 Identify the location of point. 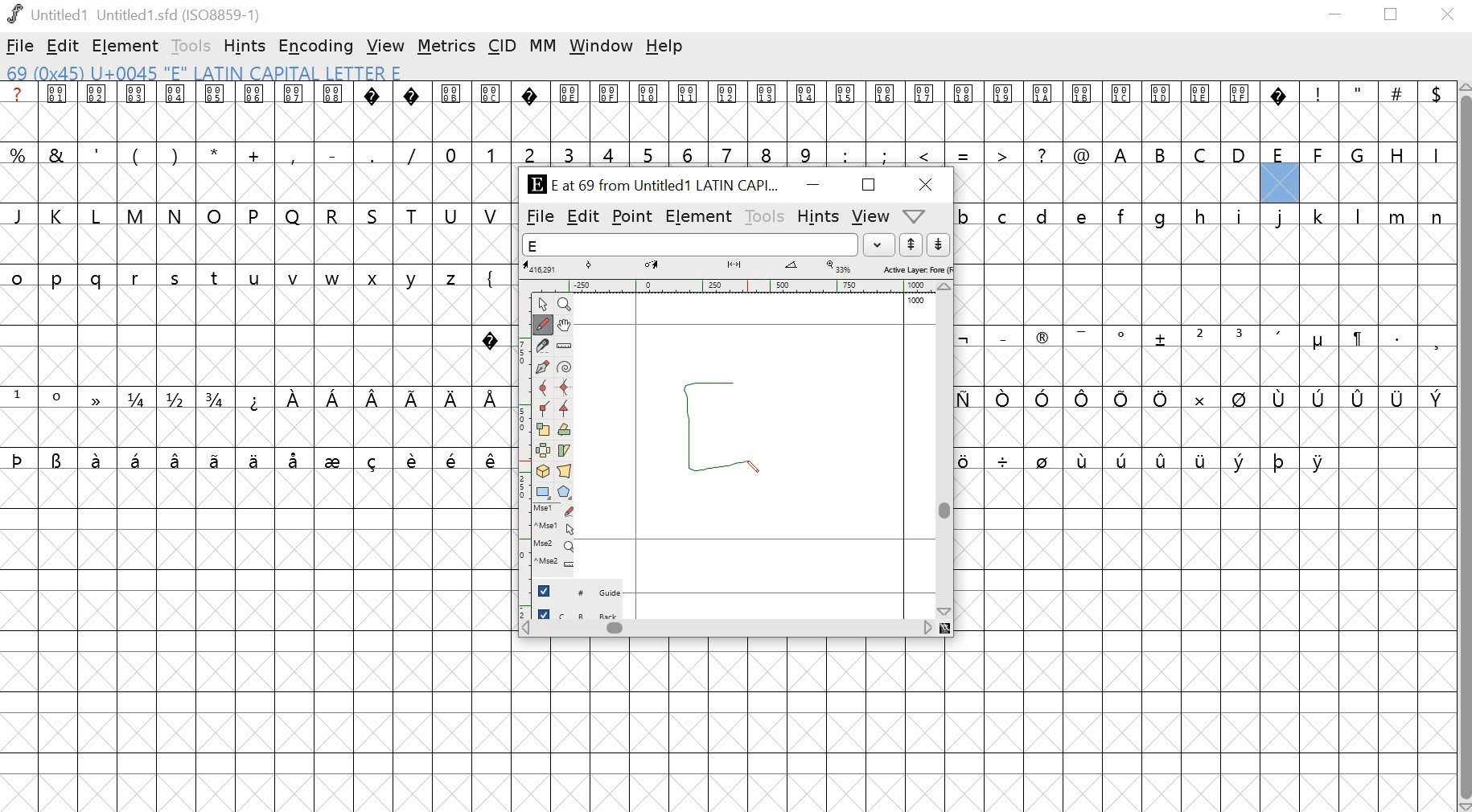
(632, 217).